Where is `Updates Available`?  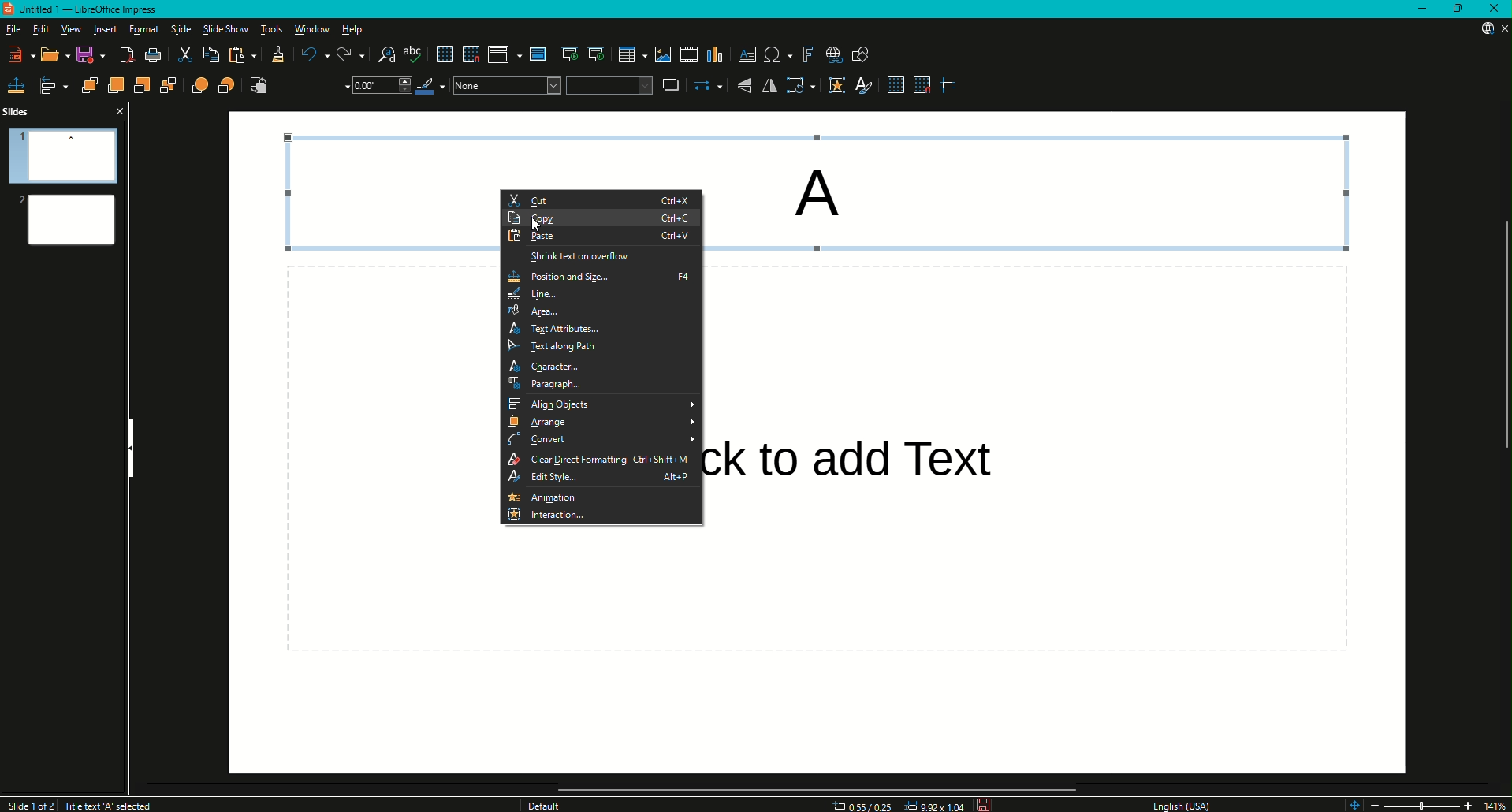
Updates Available is located at coordinates (1480, 28).